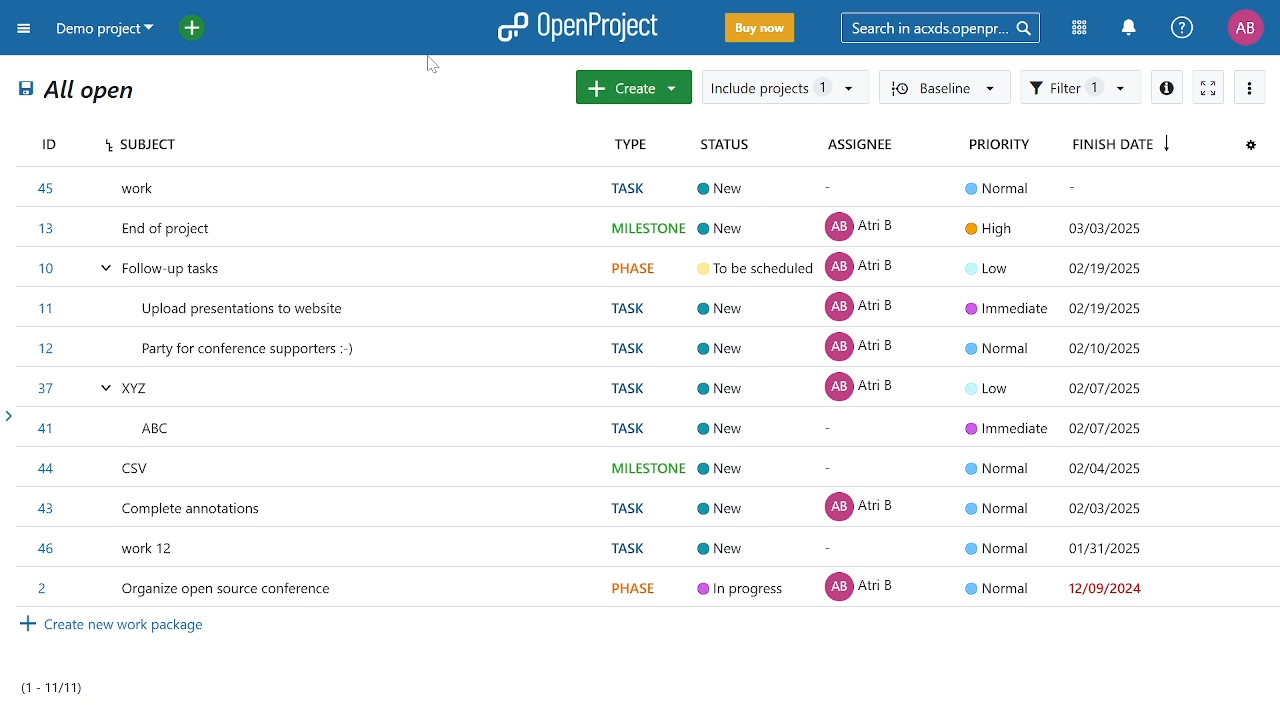  Describe the element at coordinates (57, 143) in the screenshot. I see `Id` at that location.